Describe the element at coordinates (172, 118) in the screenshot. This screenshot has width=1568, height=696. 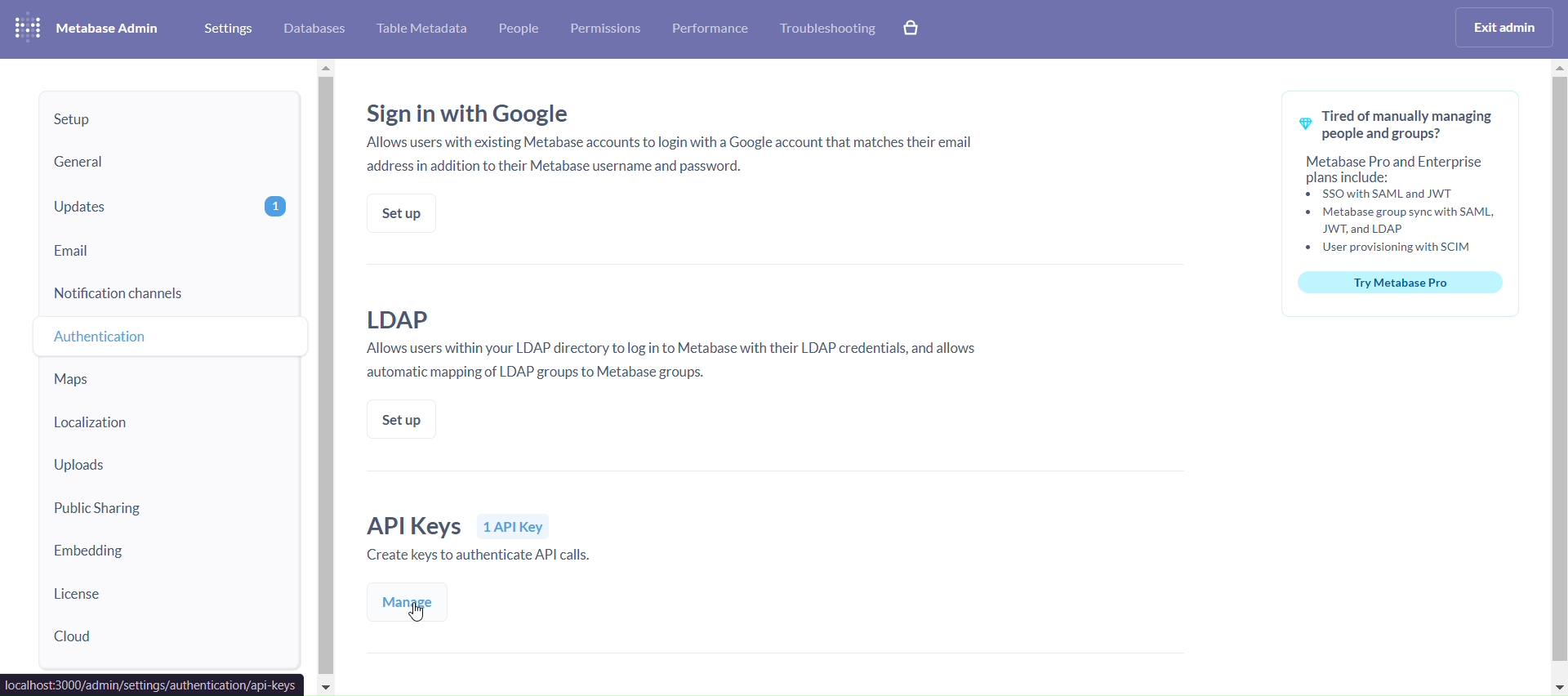
I see `setup` at that location.